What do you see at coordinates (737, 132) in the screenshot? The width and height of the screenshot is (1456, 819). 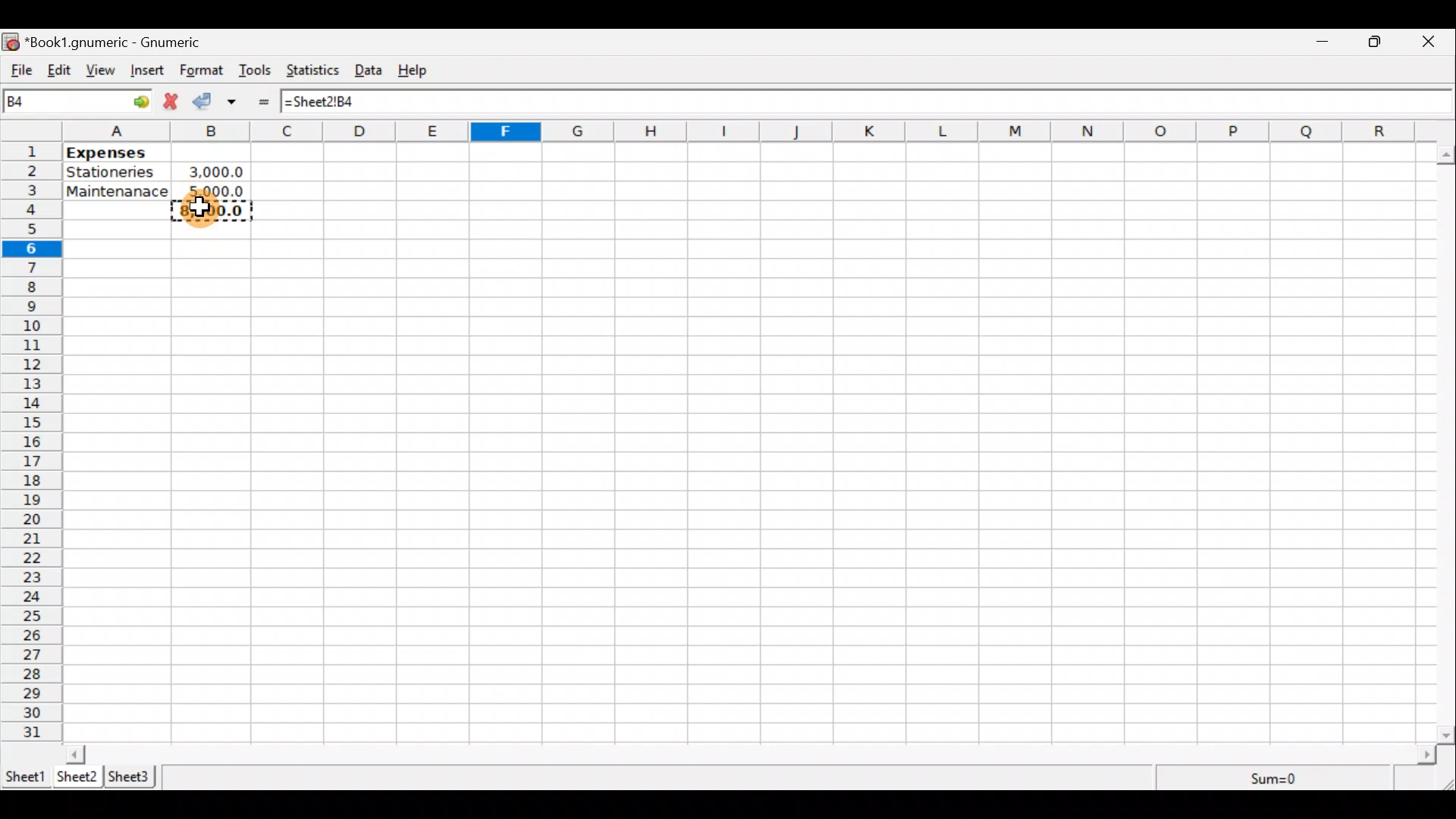 I see `alphabets row` at bounding box center [737, 132].